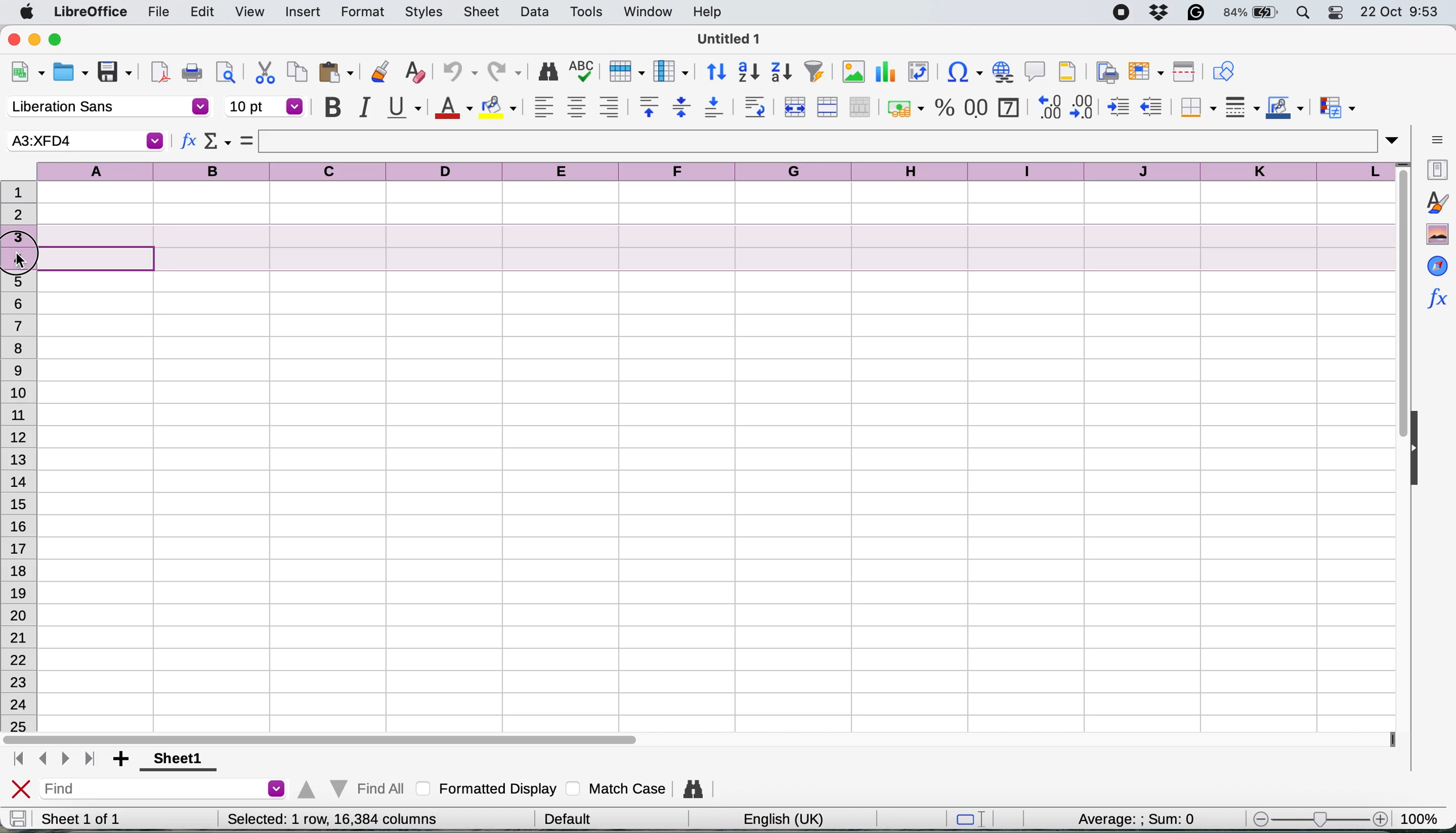  I want to click on border styles, so click(1242, 107).